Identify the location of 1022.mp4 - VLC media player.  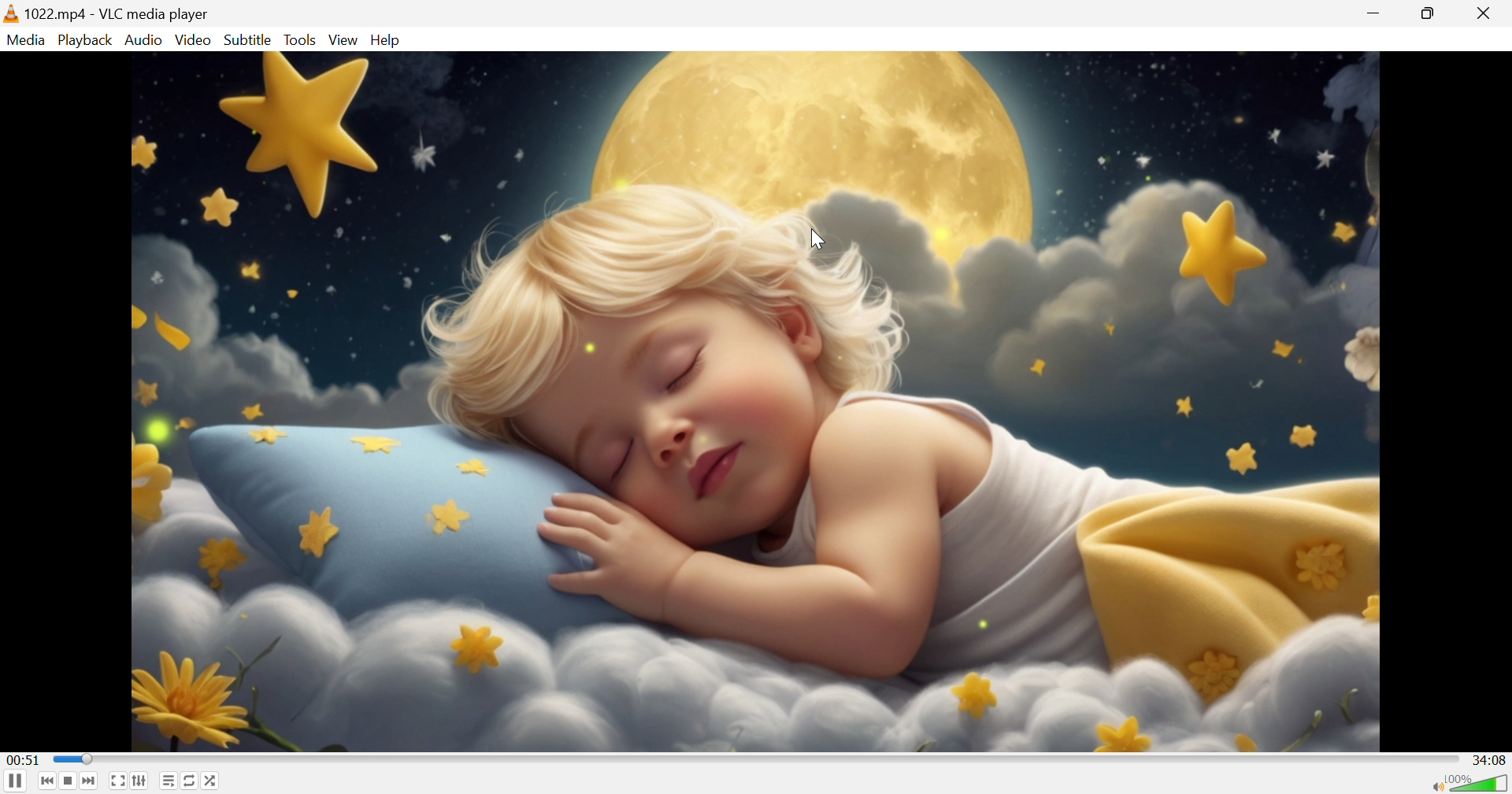
(107, 13).